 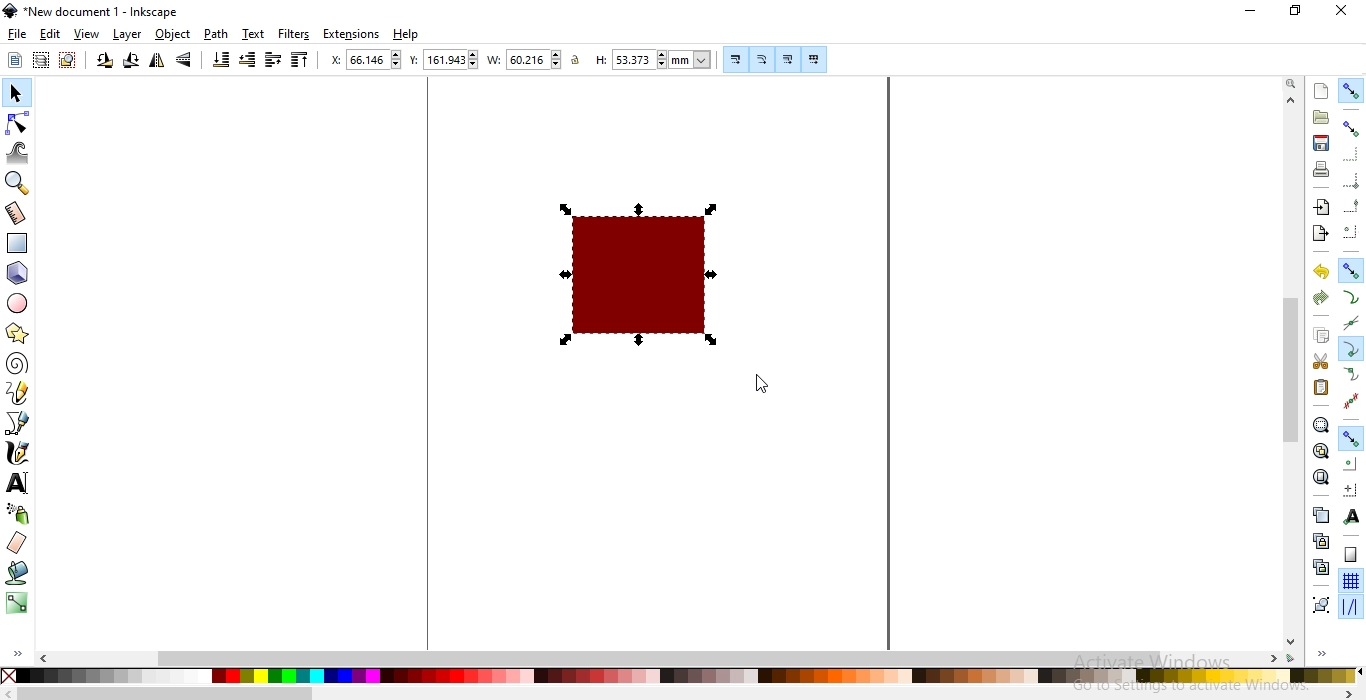 What do you see at coordinates (157, 63) in the screenshot?
I see `flip horizontally` at bounding box center [157, 63].